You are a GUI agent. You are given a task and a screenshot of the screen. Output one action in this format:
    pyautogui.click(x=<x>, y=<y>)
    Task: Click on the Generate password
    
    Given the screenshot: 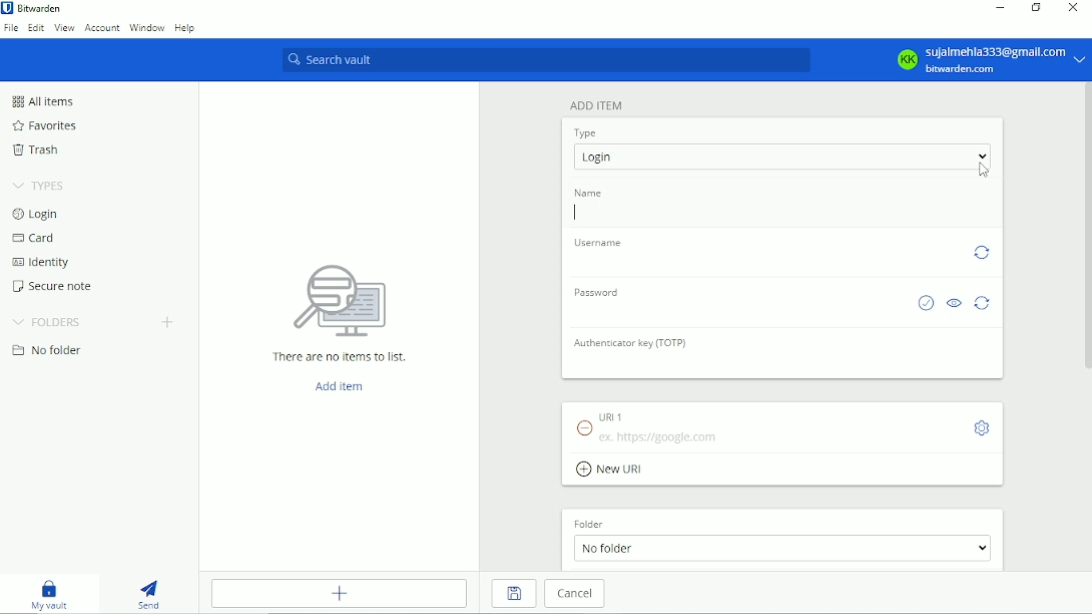 What is the action you would take?
    pyautogui.click(x=981, y=253)
    